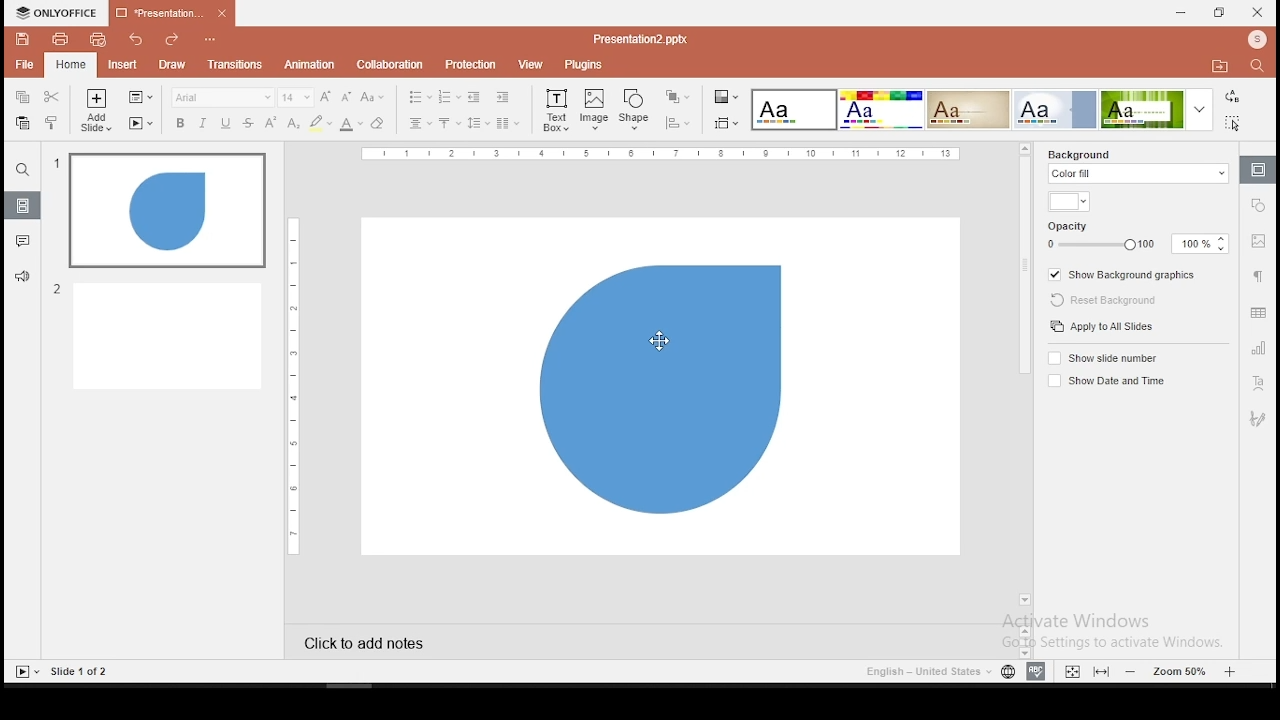 This screenshot has height=720, width=1280. Describe the element at coordinates (1232, 99) in the screenshot. I see `replace` at that location.